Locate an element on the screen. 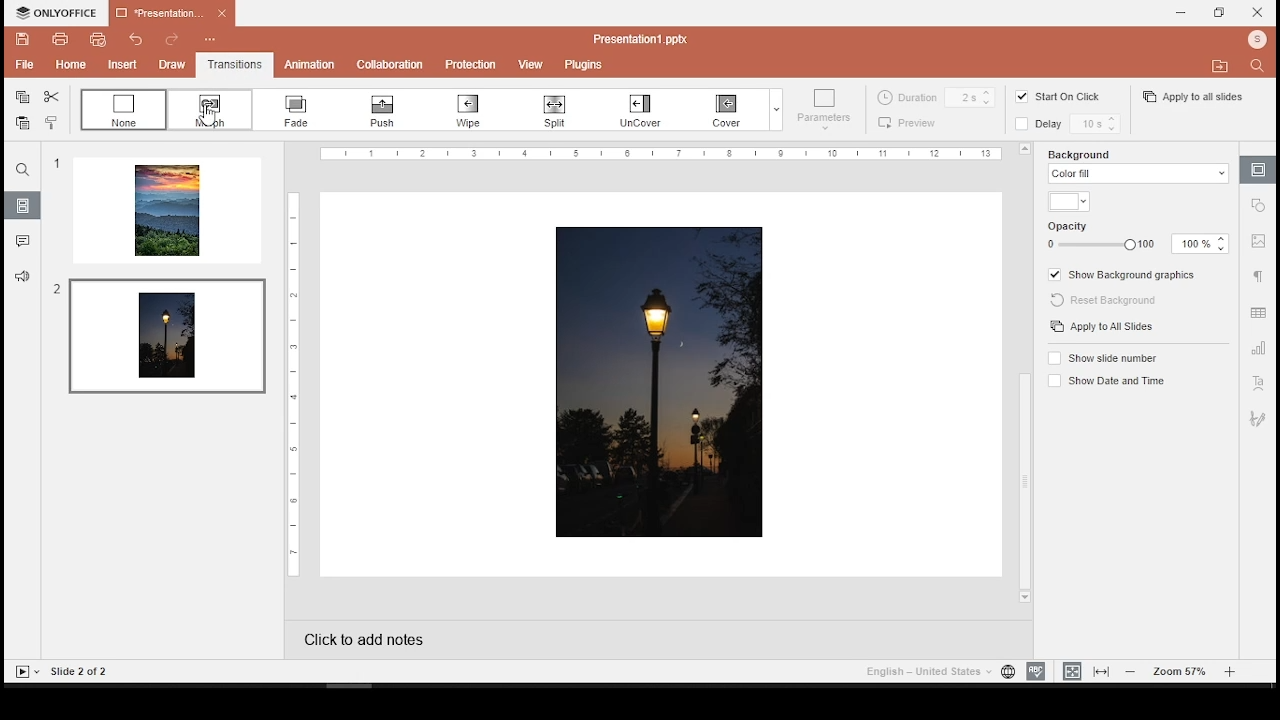 The image size is (1280, 720). image settings is located at coordinates (1260, 244).